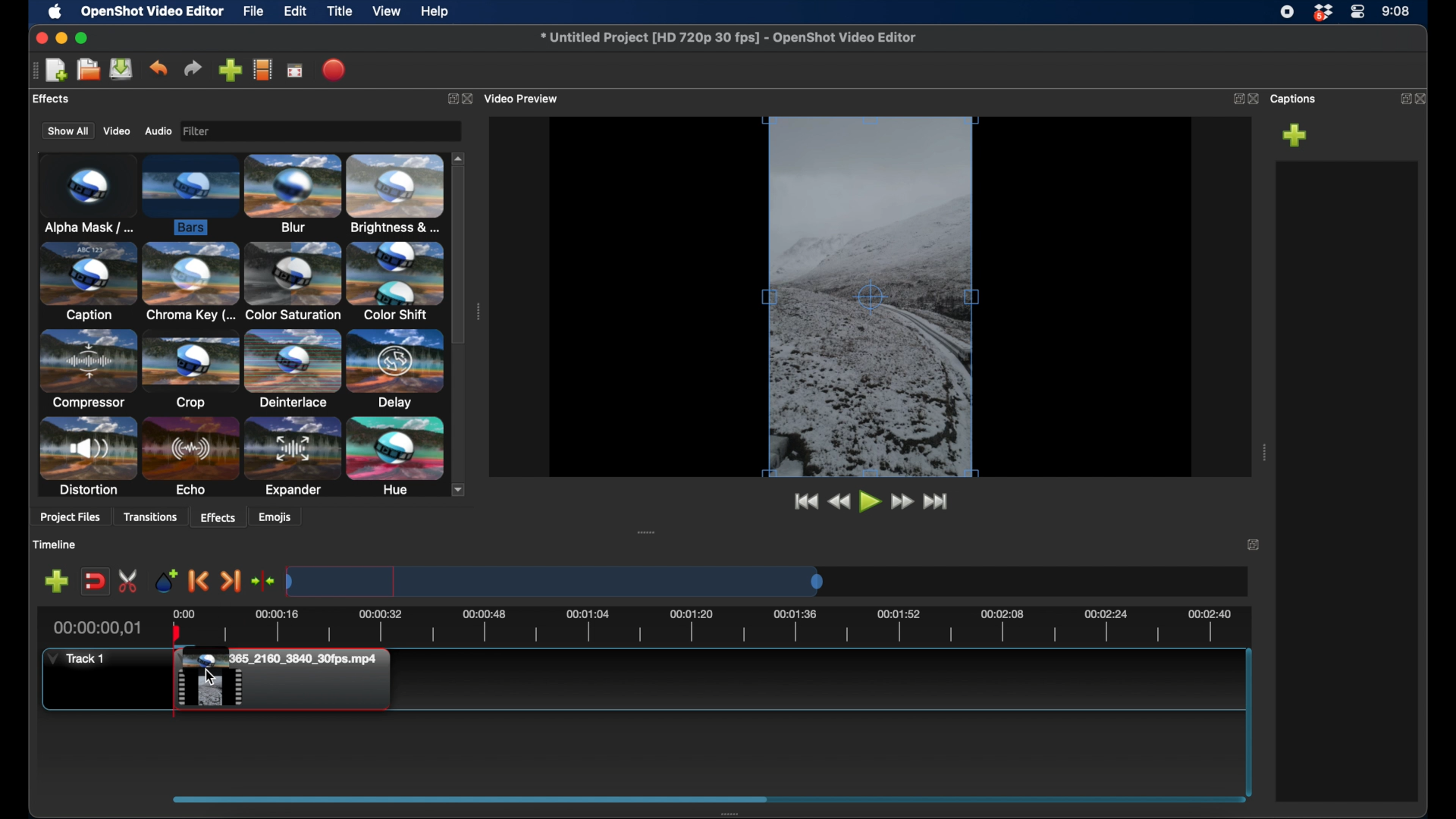 The height and width of the screenshot is (819, 1456). What do you see at coordinates (869, 501) in the screenshot?
I see `play` at bounding box center [869, 501].